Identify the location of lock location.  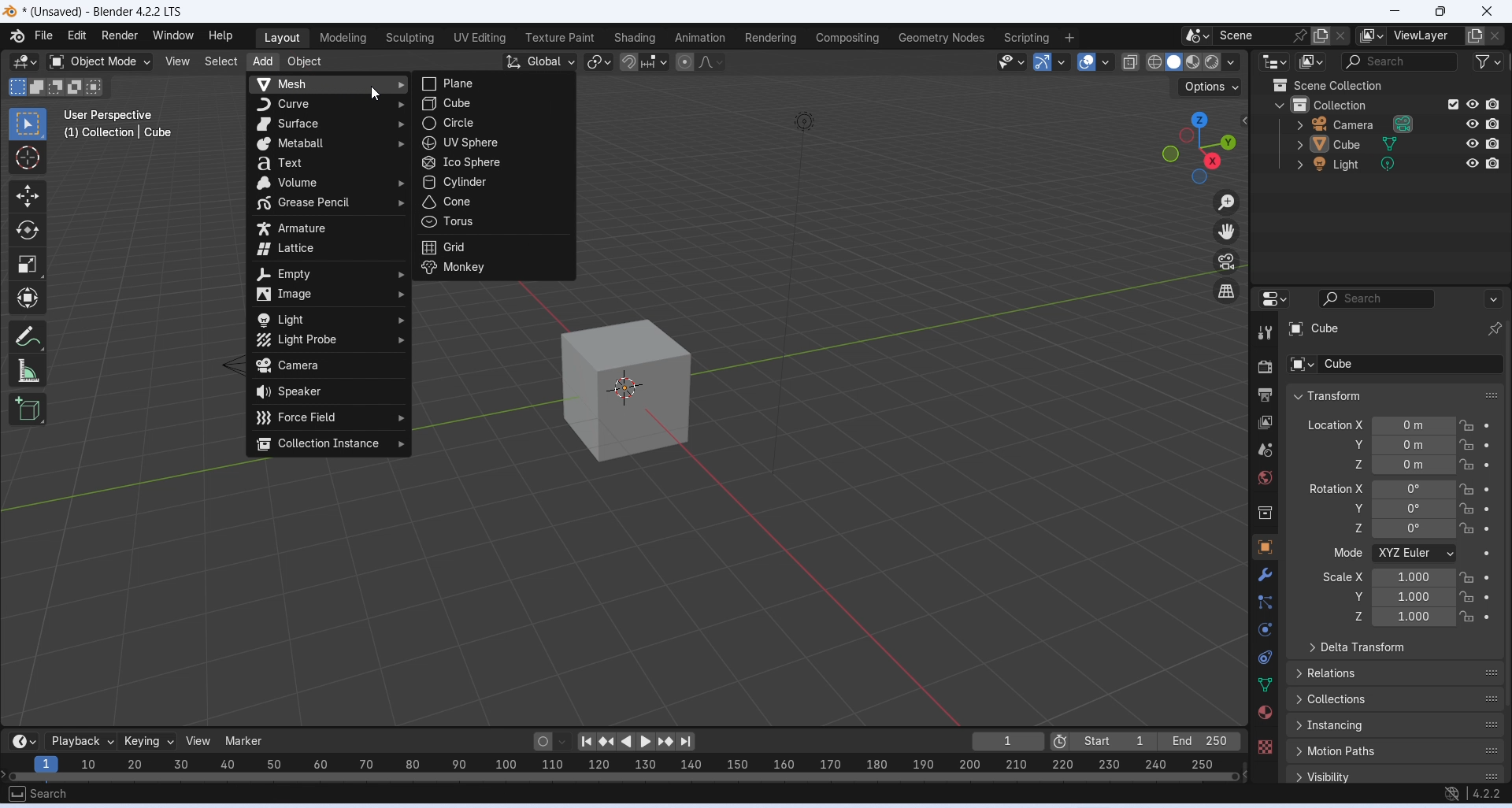
(1468, 509).